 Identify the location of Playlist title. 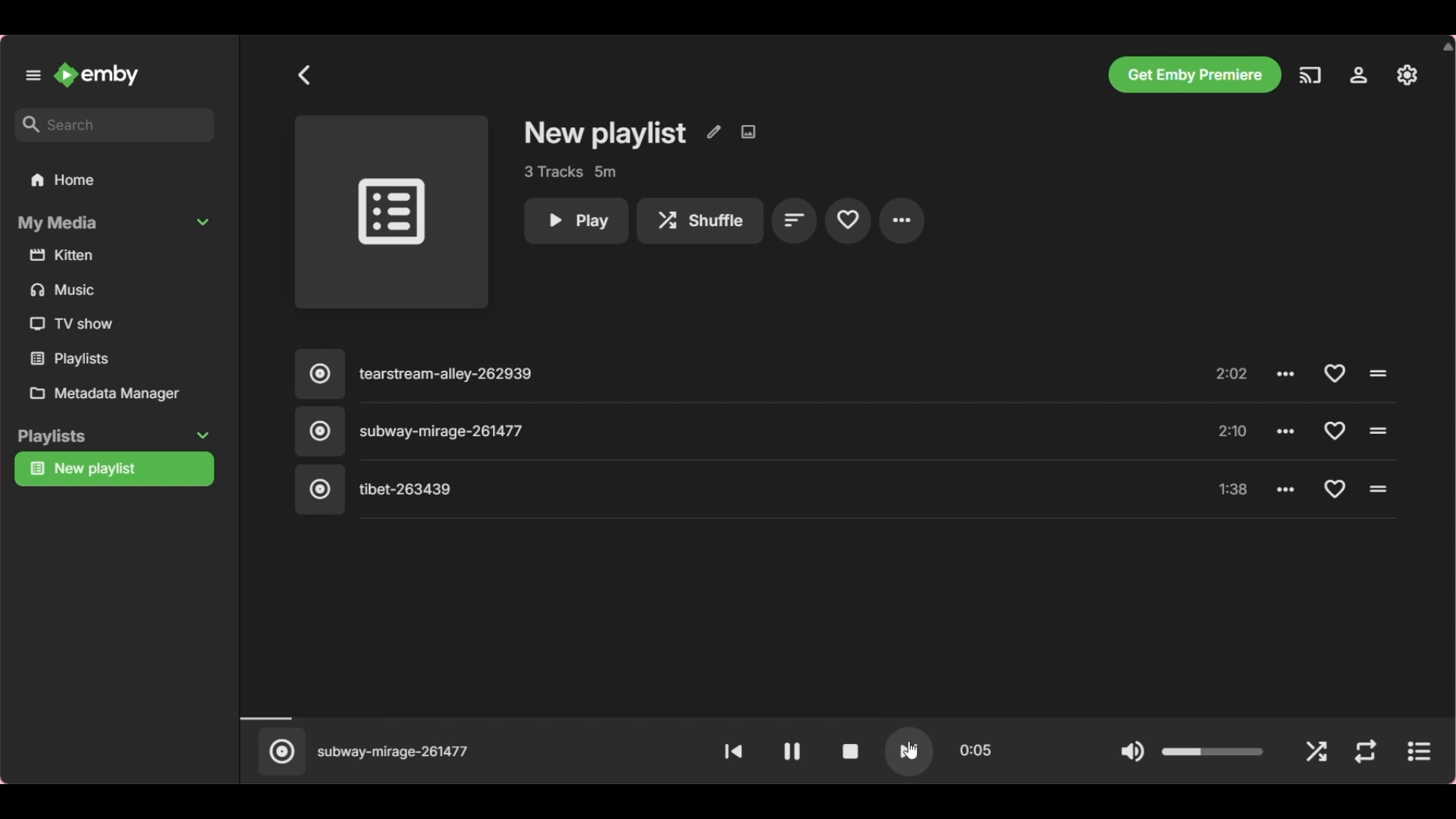
(605, 133).